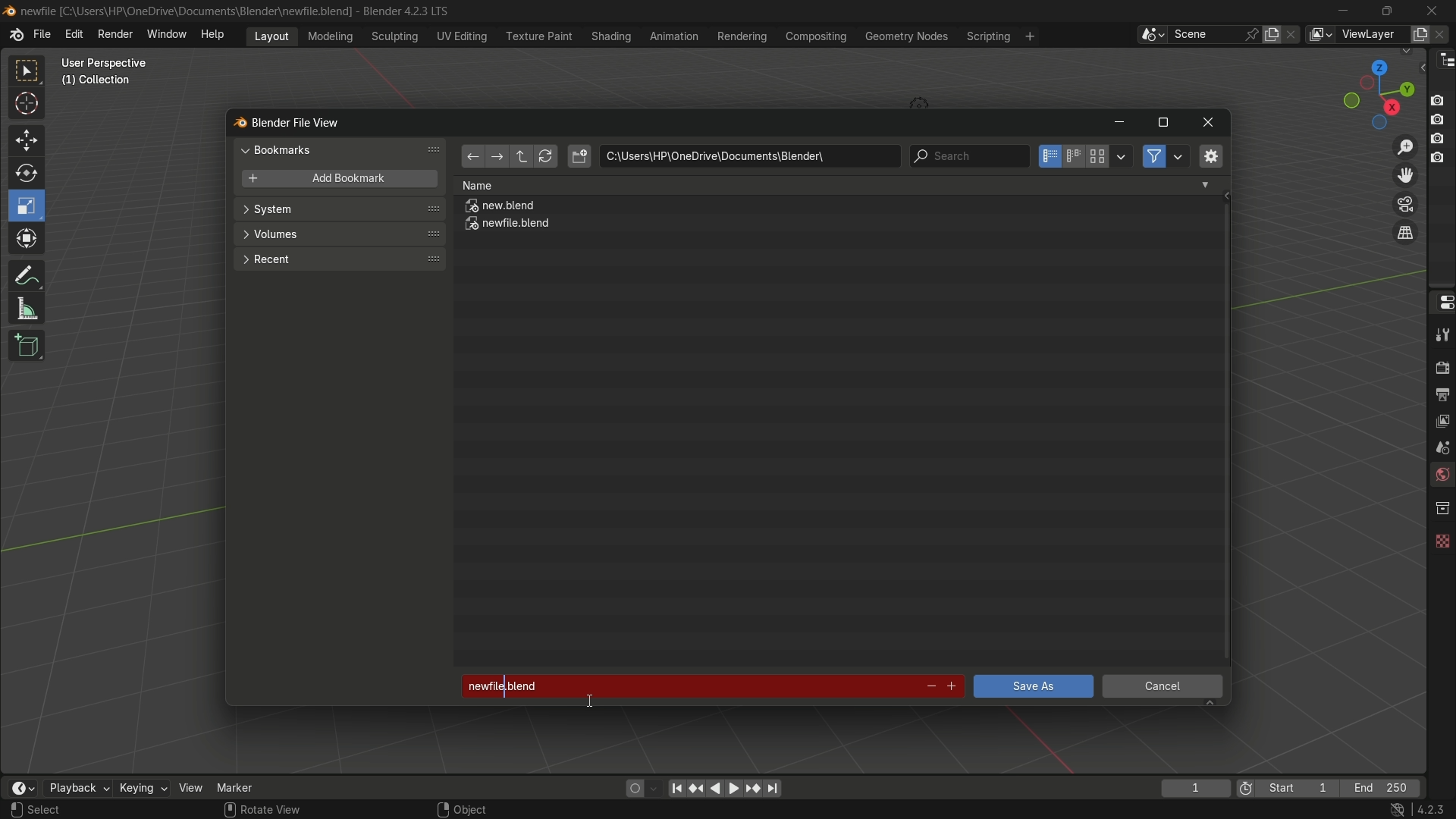 The width and height of the screenshot is (1456, 819). Describe the element at coordinates (480, 805) in the screenshot. I see `Object` at that location.